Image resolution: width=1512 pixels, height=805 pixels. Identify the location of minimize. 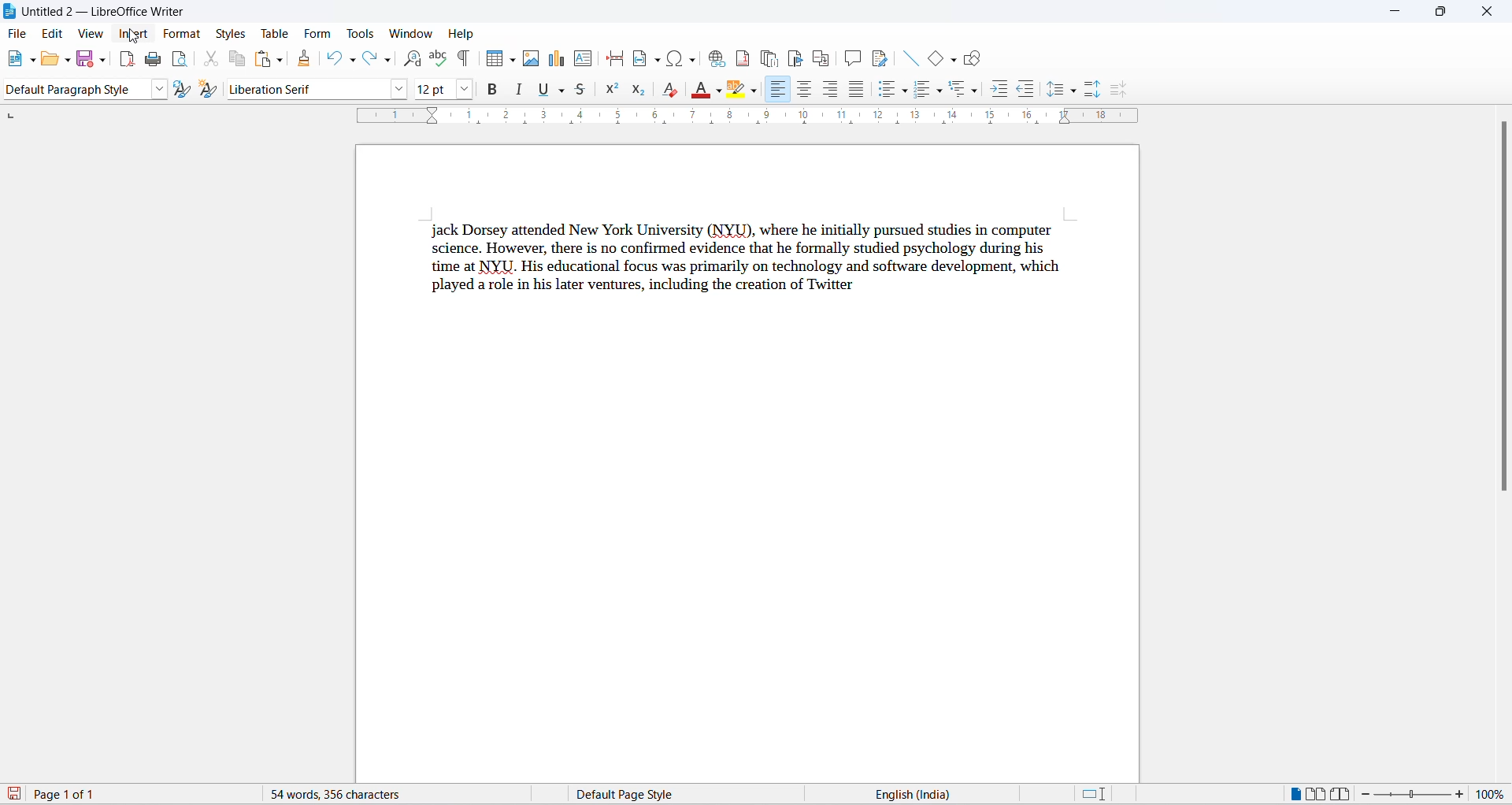
(1392, 11).